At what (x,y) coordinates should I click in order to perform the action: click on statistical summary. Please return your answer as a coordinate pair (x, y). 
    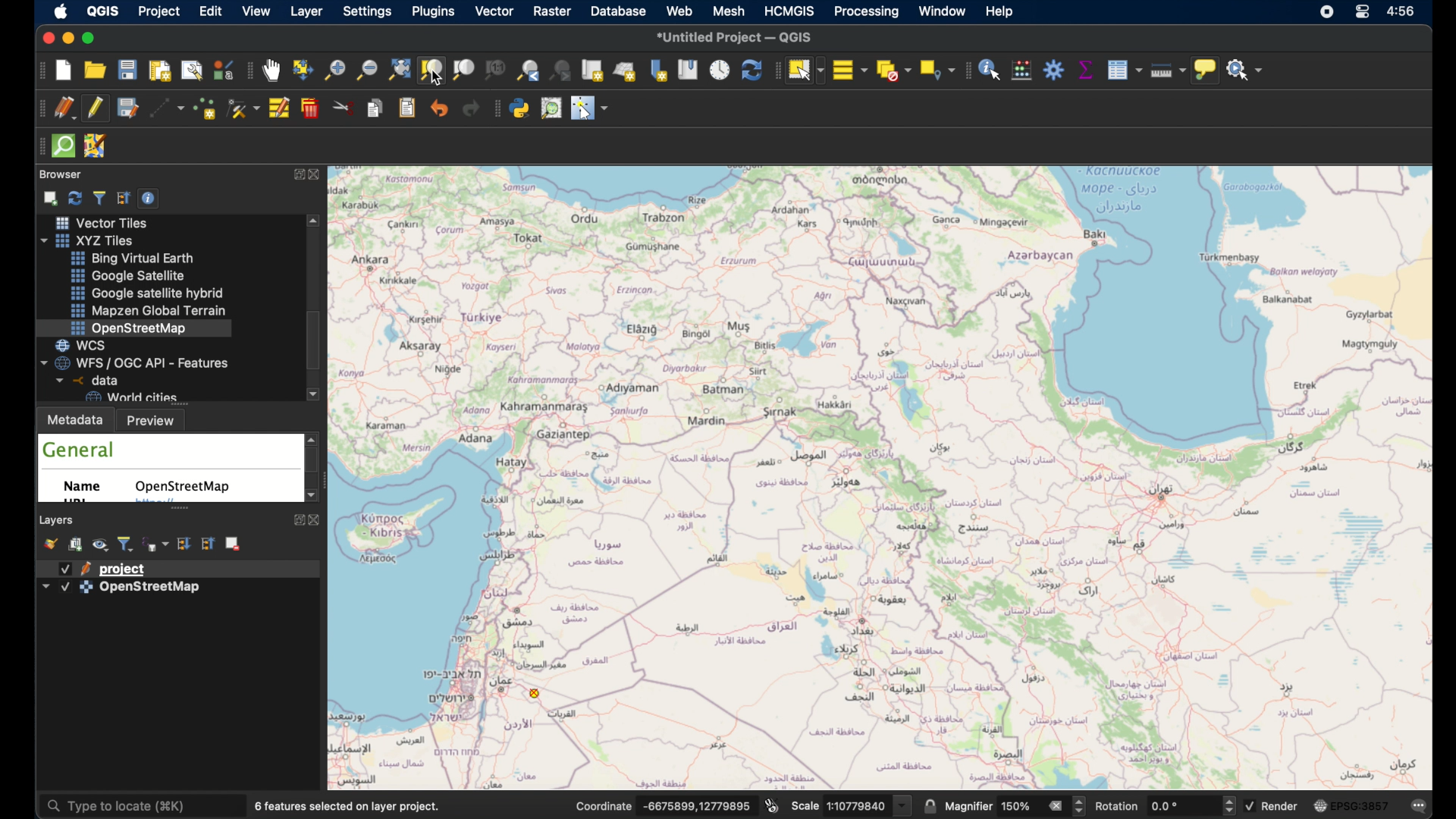
    Looking at the image, I should click on (1084, 70).